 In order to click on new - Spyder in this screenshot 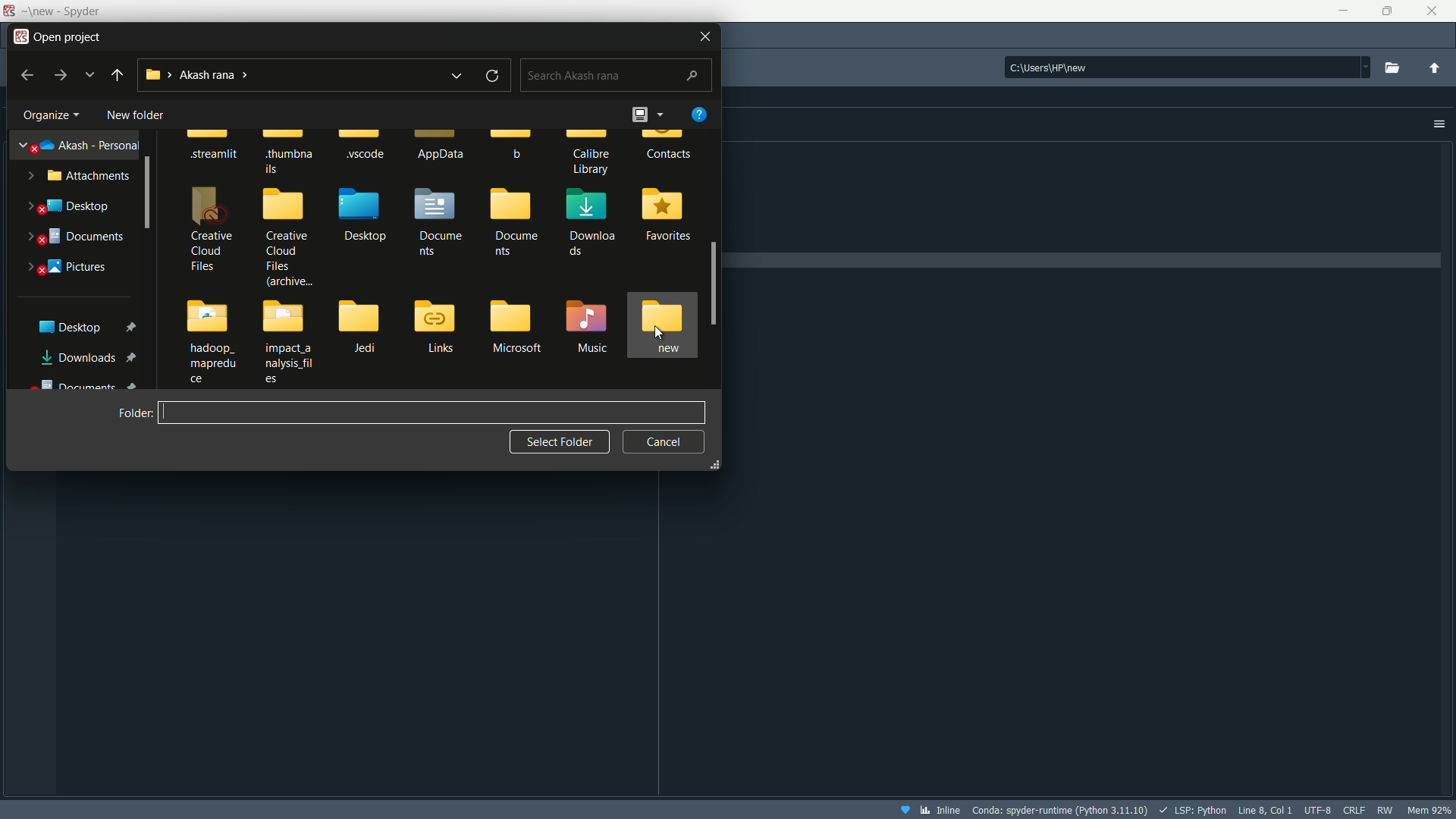, I will do `click(61, 11)`.